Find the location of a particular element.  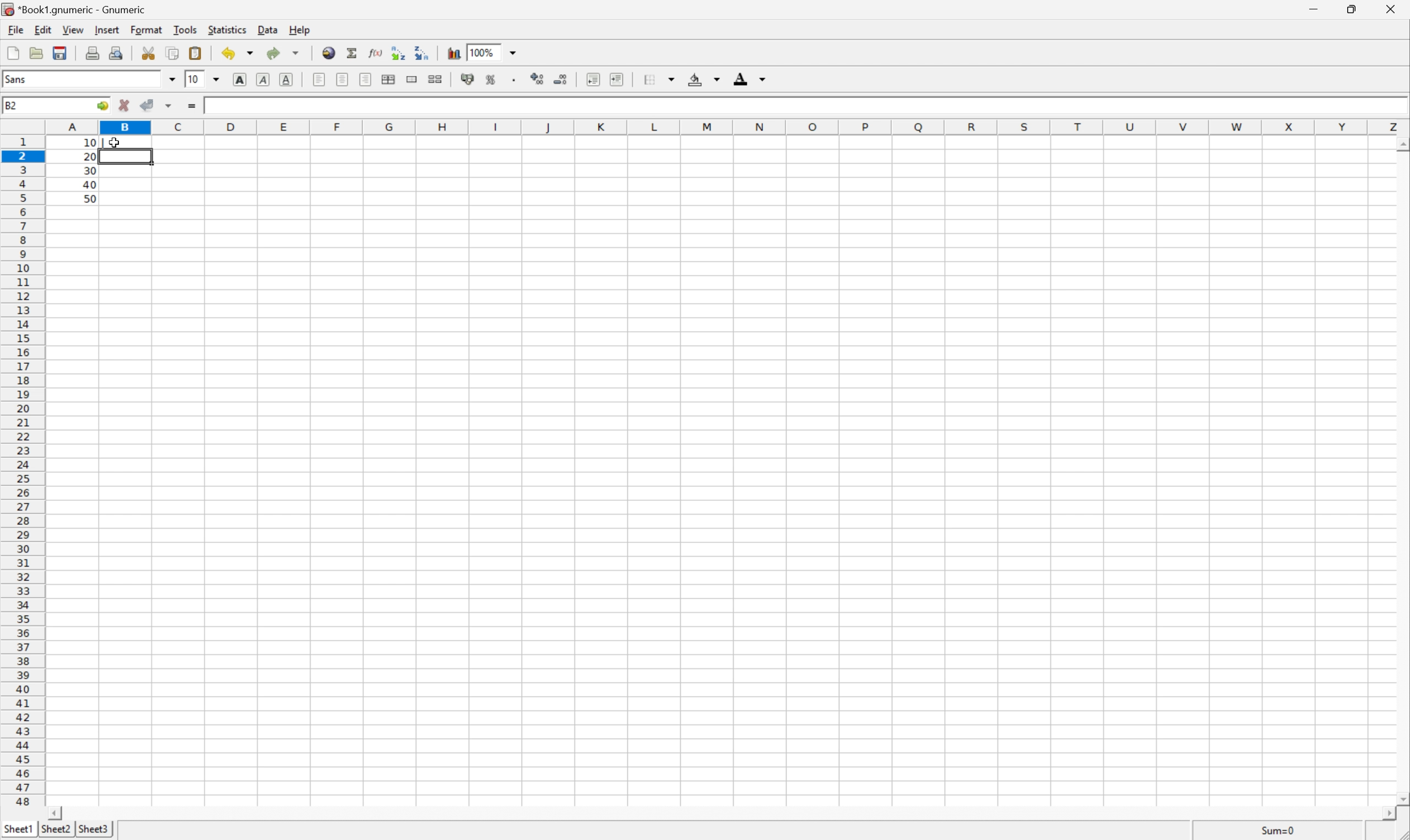

10 is located at coordinates (194, 79).